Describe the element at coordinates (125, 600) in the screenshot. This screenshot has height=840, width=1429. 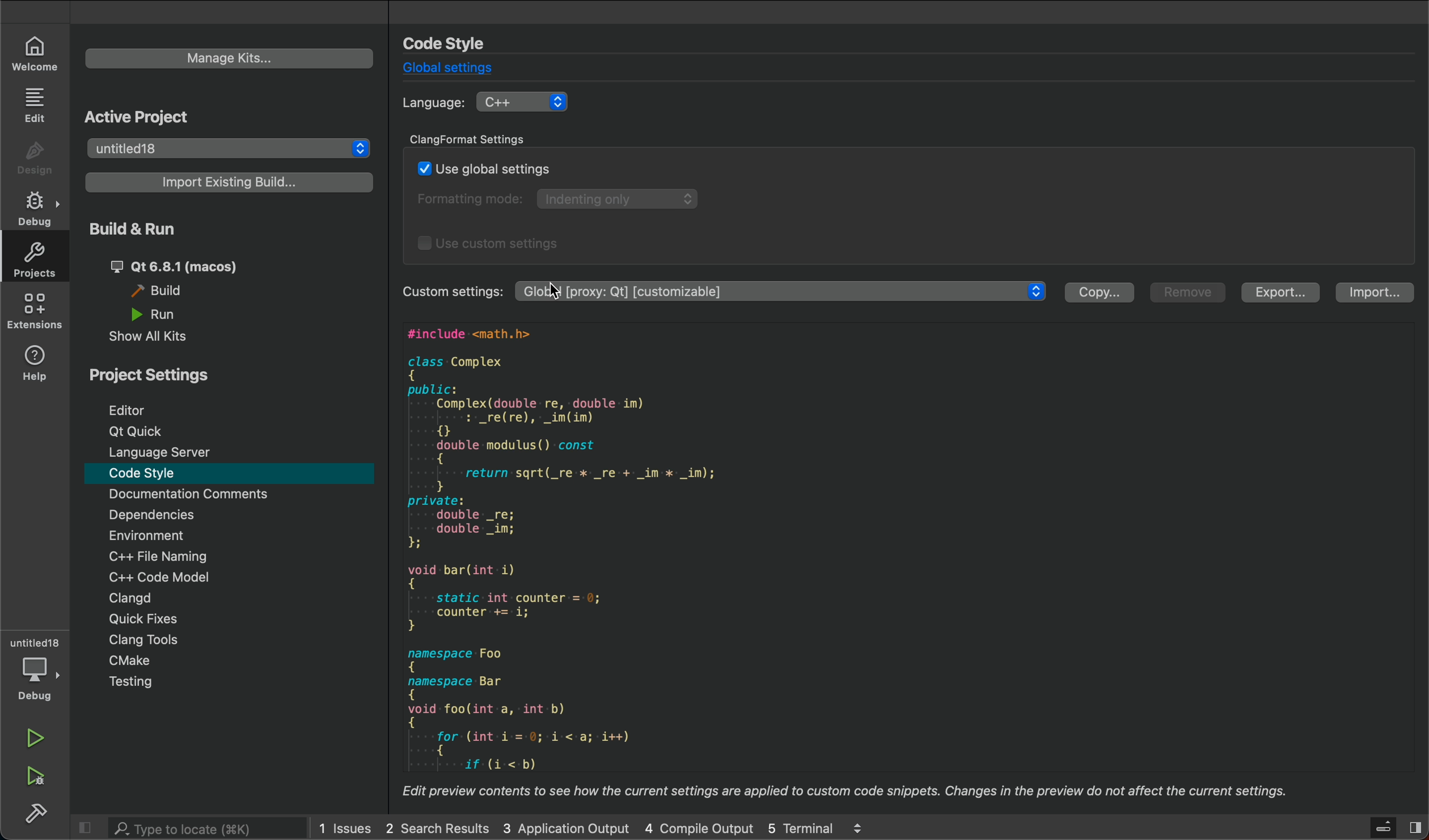
I see `clangd` at that location.